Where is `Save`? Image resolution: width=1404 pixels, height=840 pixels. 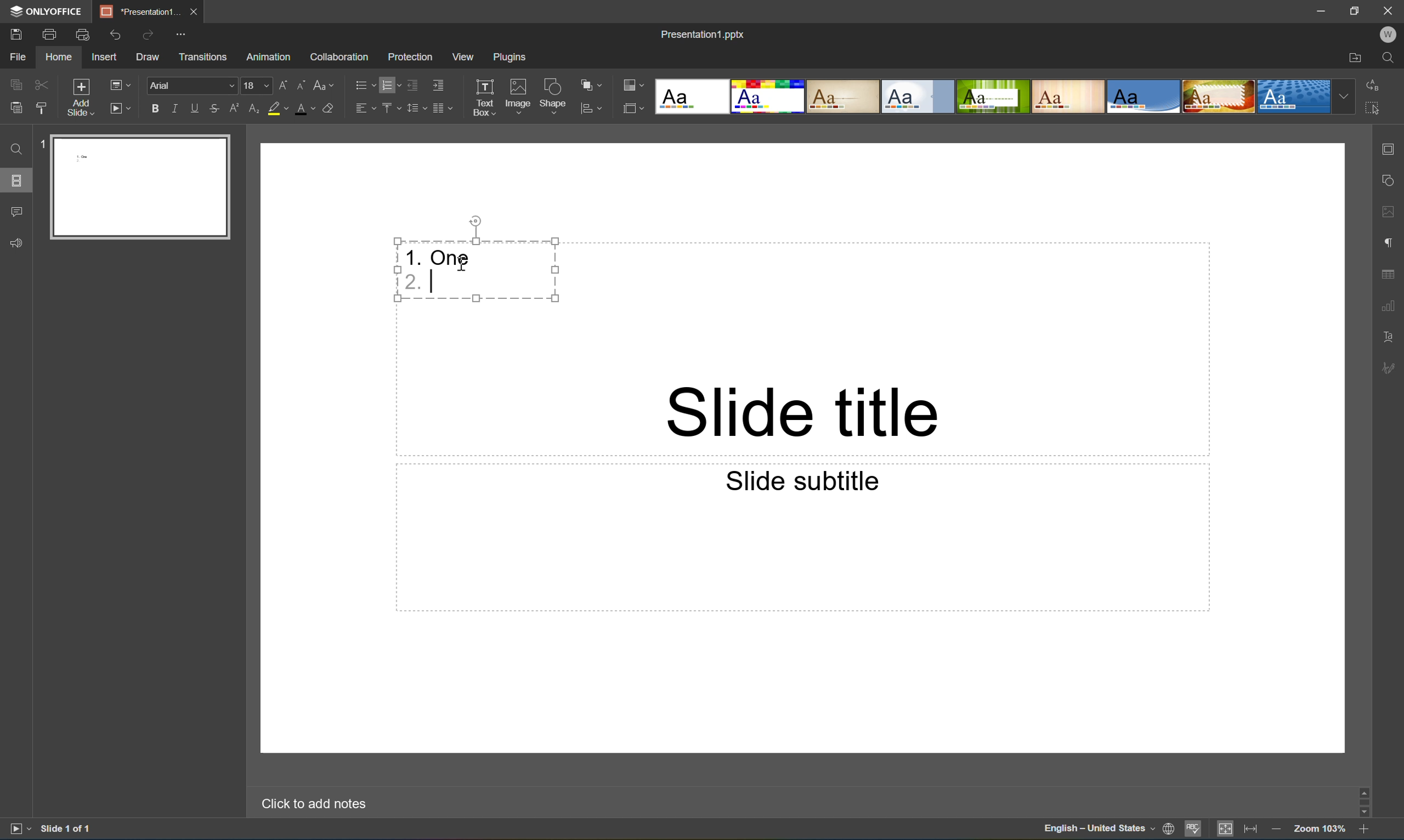 Save is located at coordinates (14, 33).